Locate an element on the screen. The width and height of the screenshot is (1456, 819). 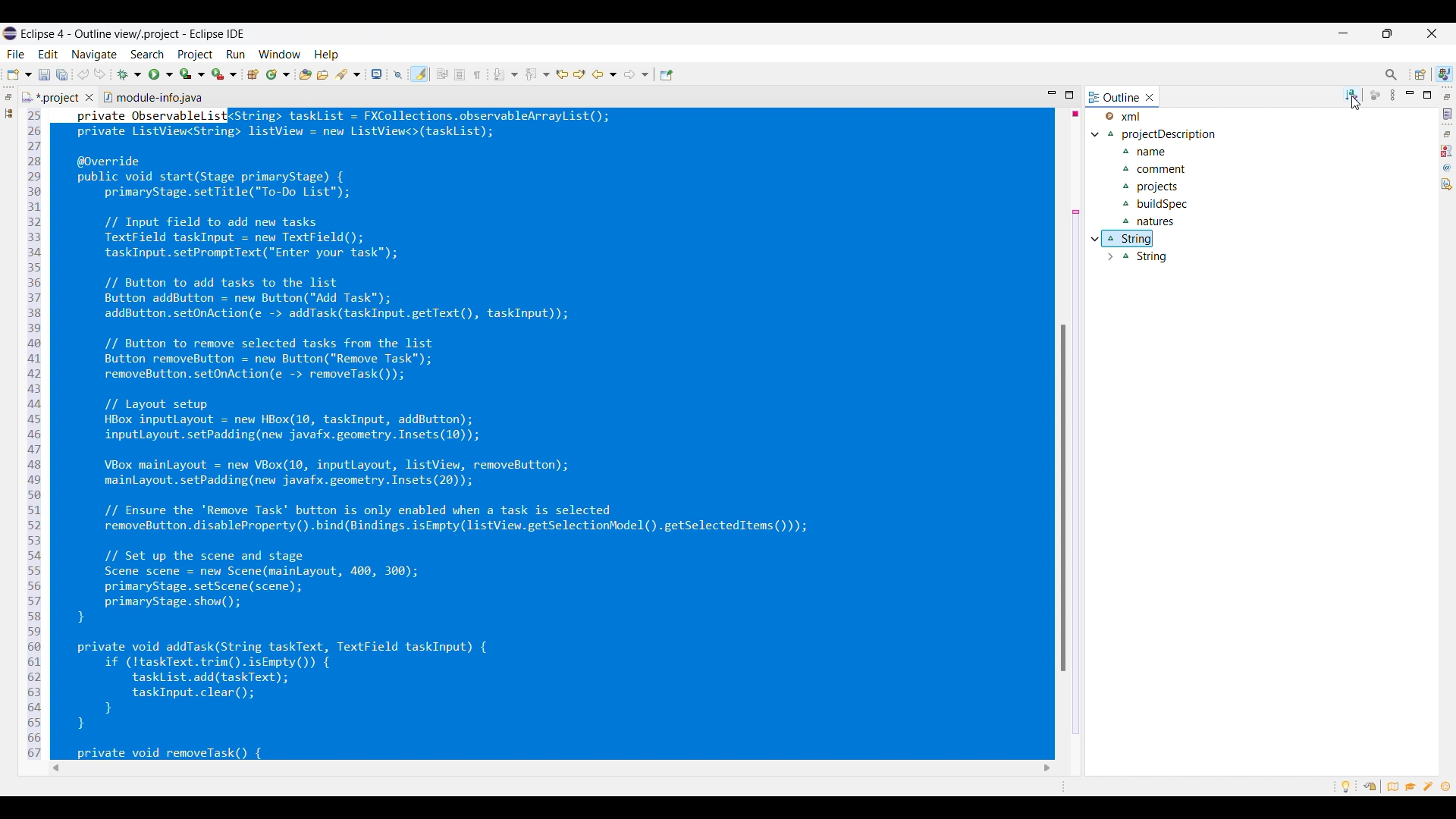
Show whitespace characters is located at coordinates (477, 75).